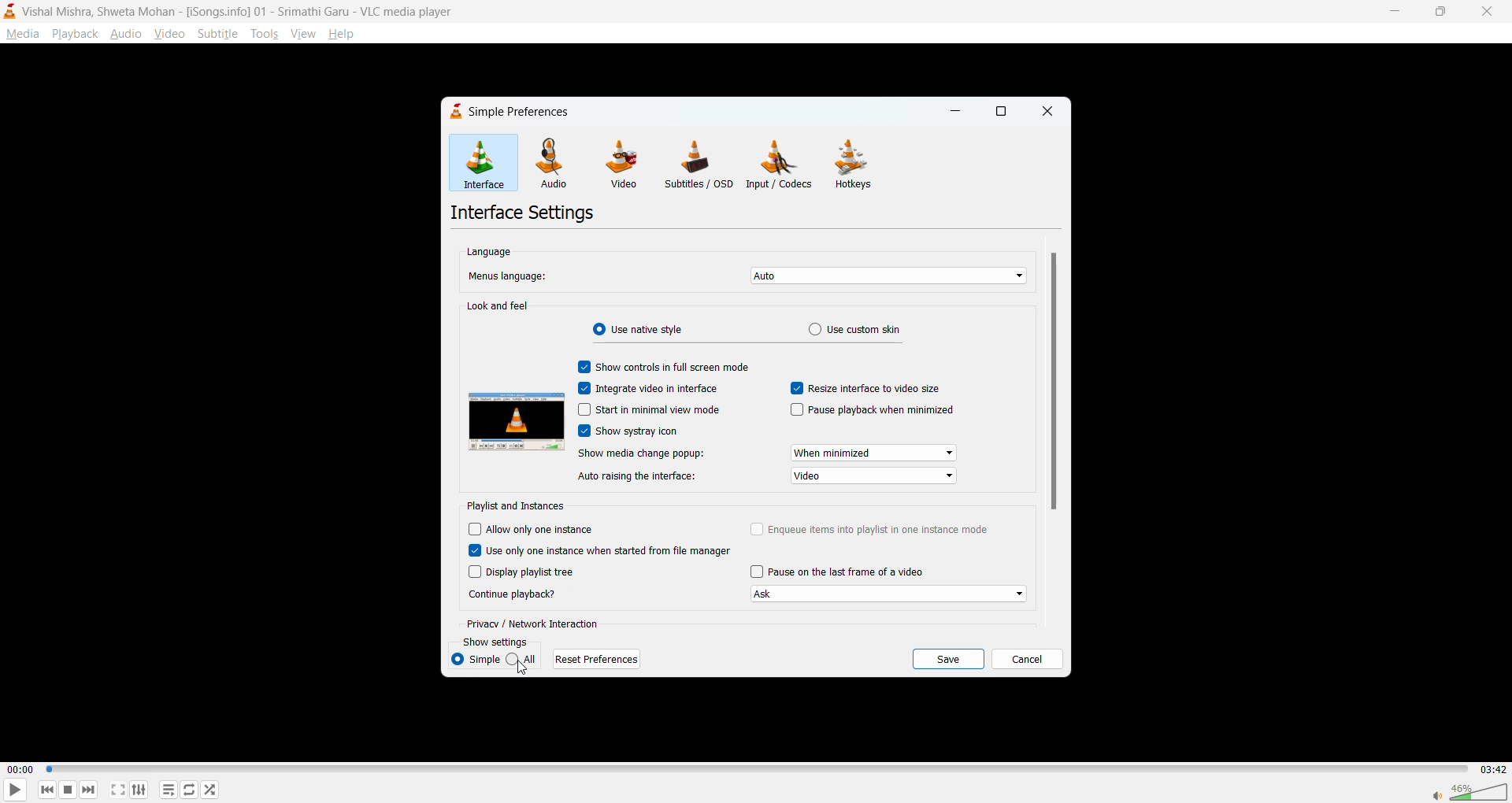 This screenshot has width=1512, height=803. I want to click on save, so click(949, 660).